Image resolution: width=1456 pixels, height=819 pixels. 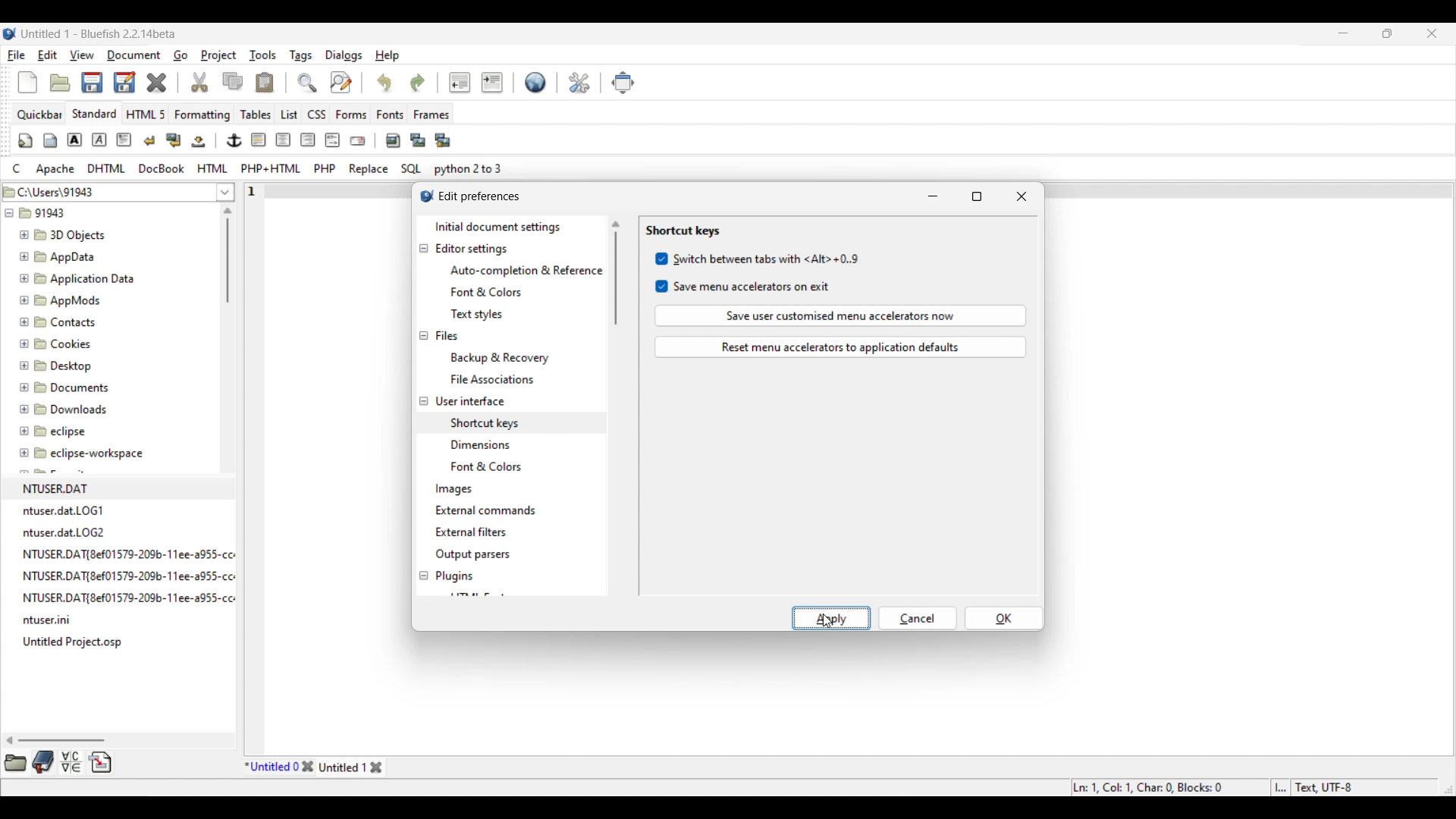 What do you see at coordinates (831, 618) in the screenshot?
I see `Apply highlighted as current selection` at bounding box center [831, 618].